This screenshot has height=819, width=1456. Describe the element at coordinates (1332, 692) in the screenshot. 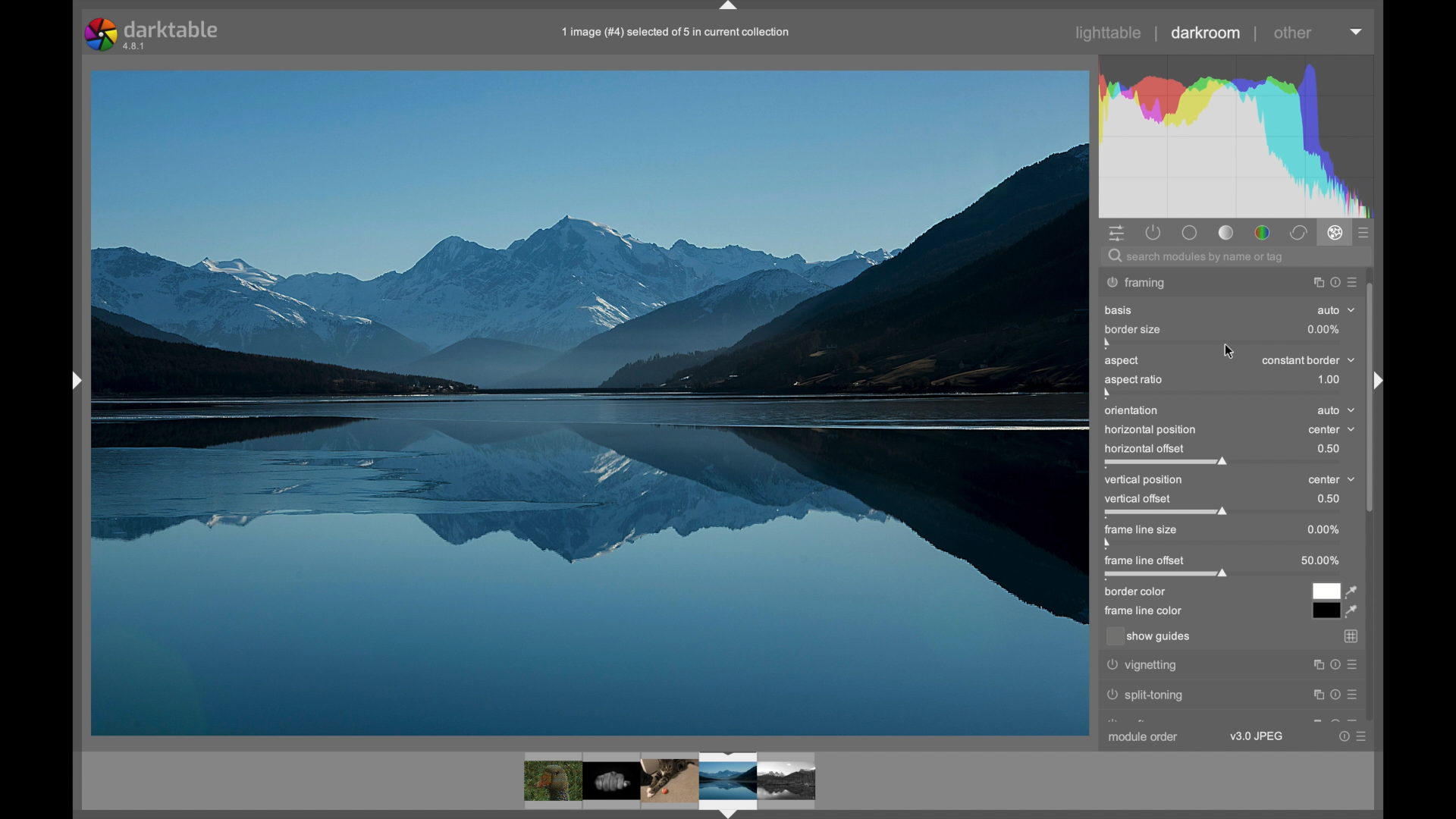

I see `more options` at that location.